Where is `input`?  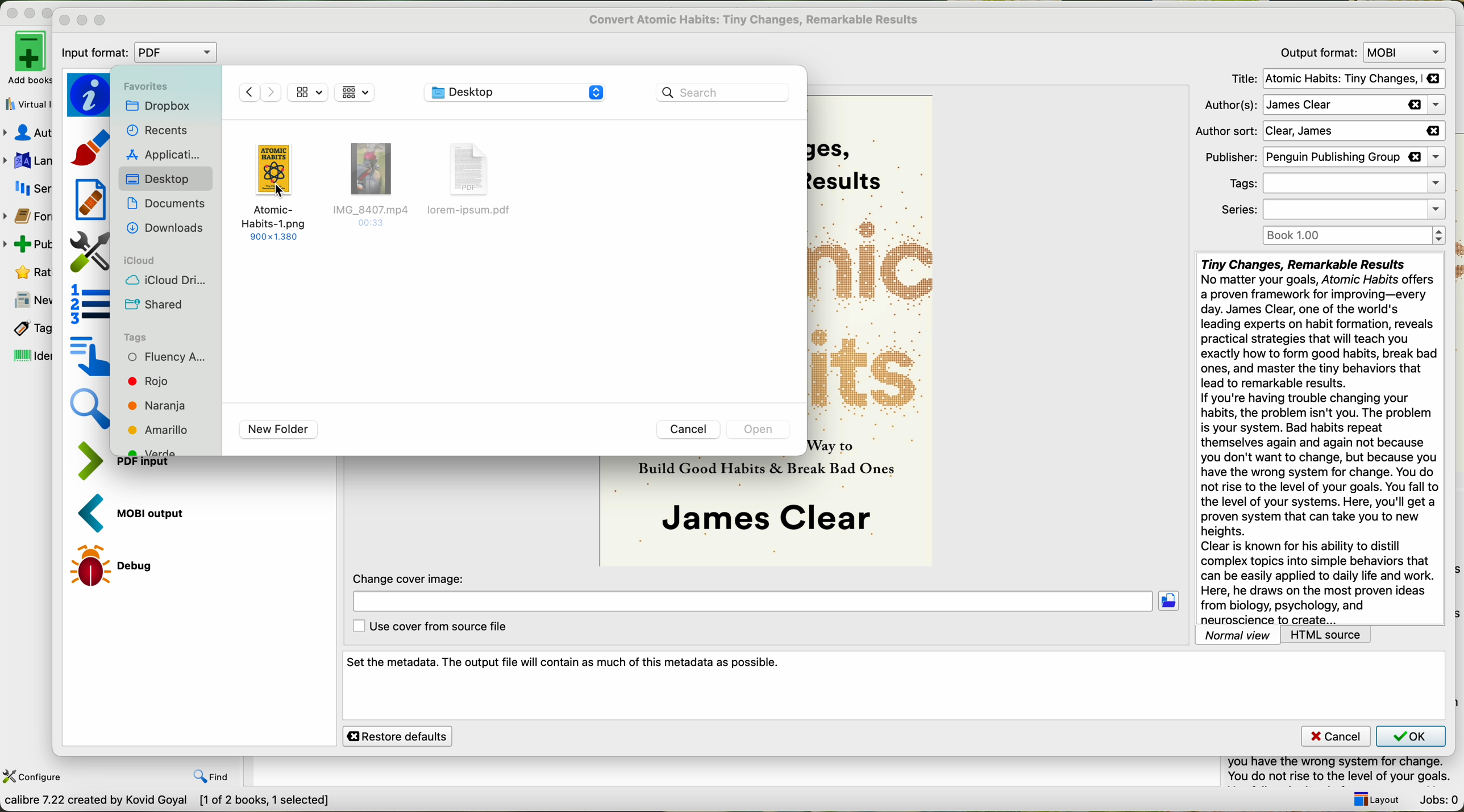
input is located at coordinates (153, 469).